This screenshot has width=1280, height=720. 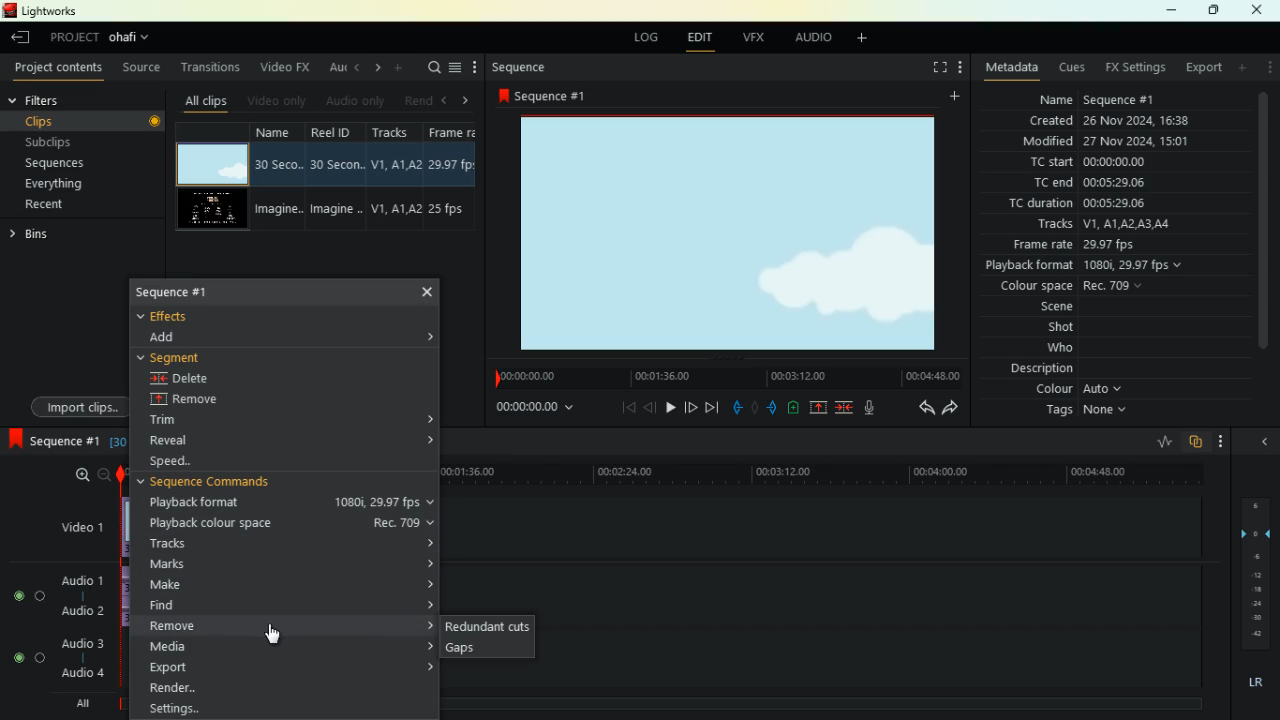 I want to click on recent, so click(x=56, y=205).